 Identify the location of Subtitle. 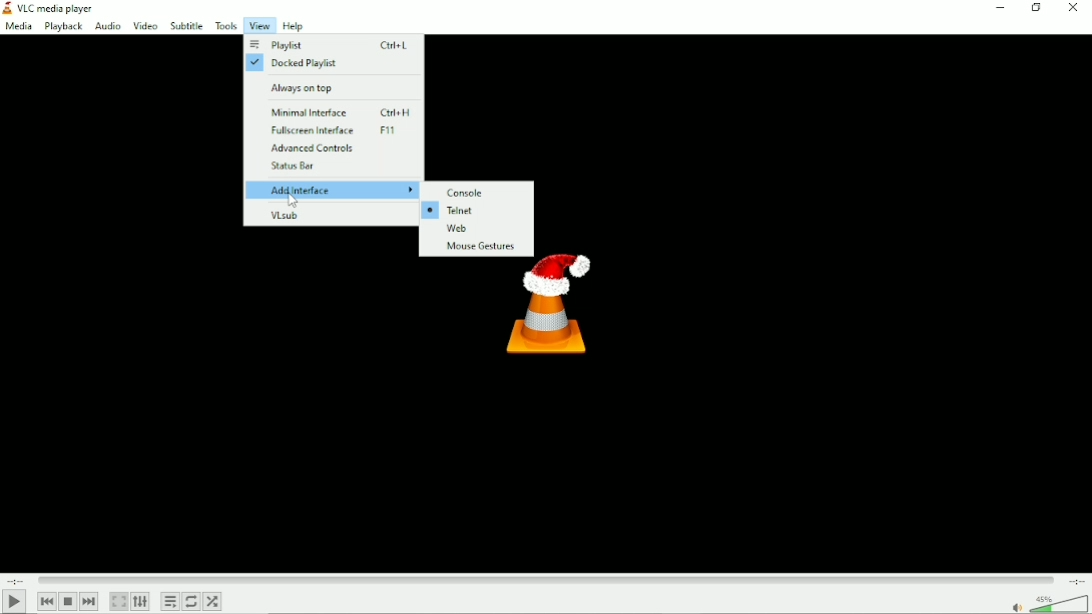
(188, 26).